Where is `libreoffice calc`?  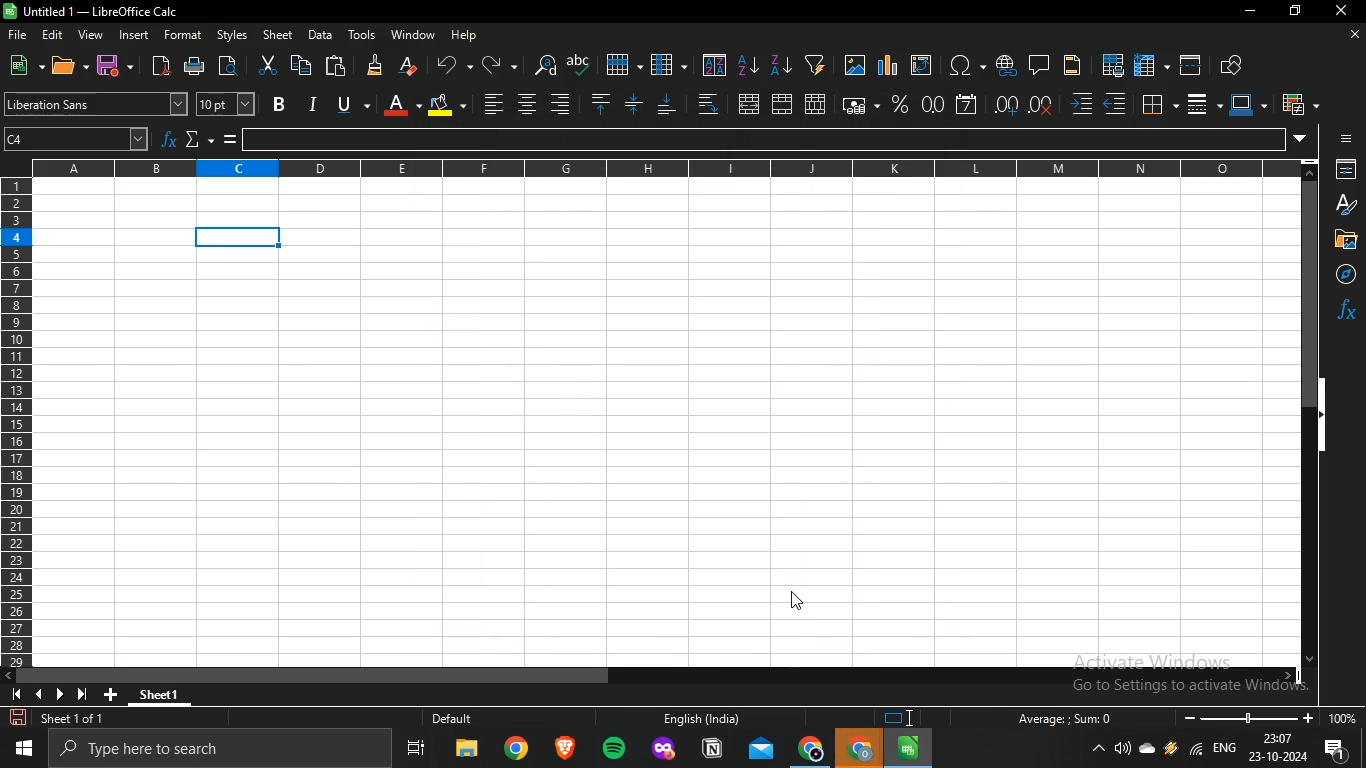
libreoffice calc is located at coordinates (909, 748).